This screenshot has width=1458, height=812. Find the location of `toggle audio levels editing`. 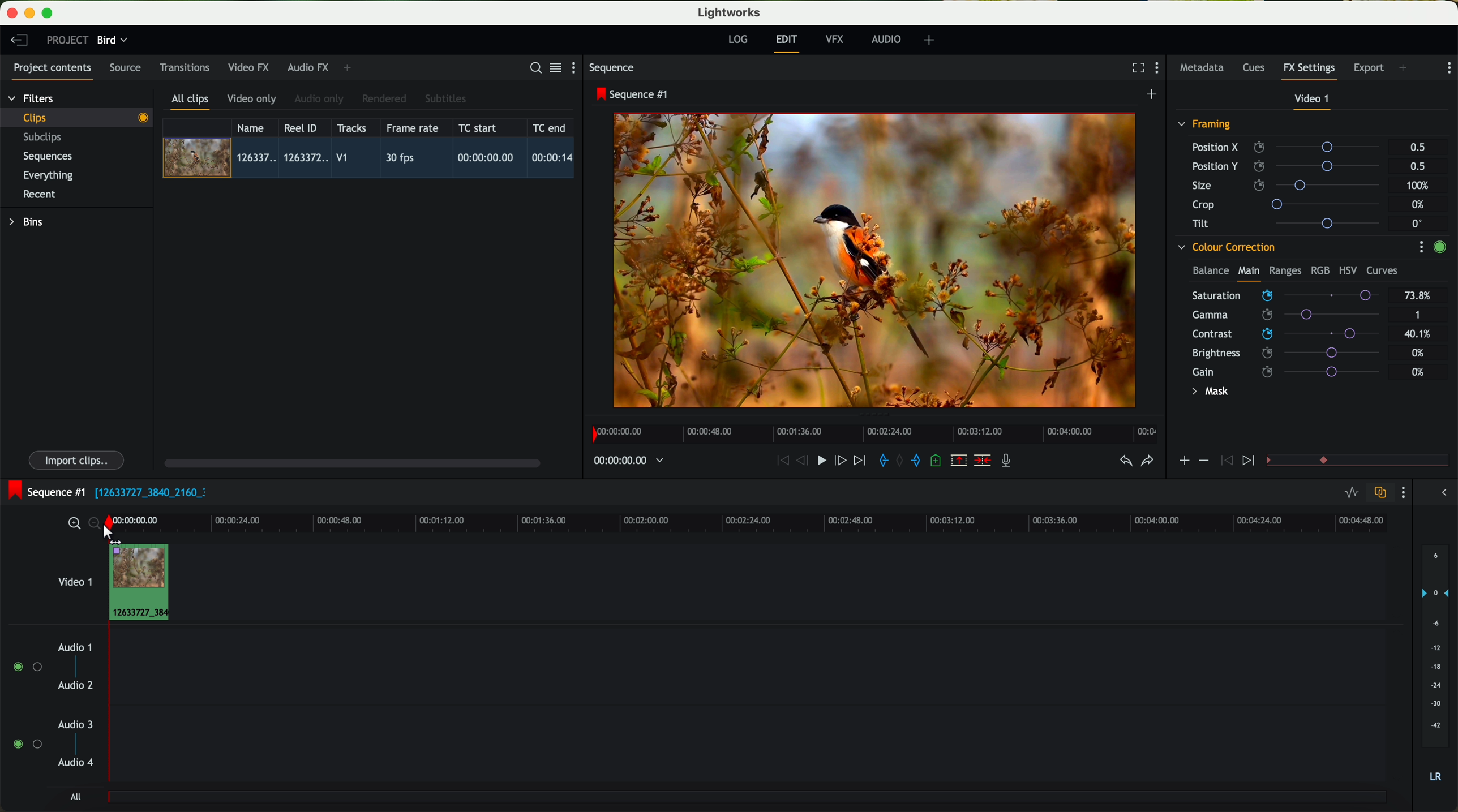

toggle audio levels editing is located at coordinates (1351, 494).